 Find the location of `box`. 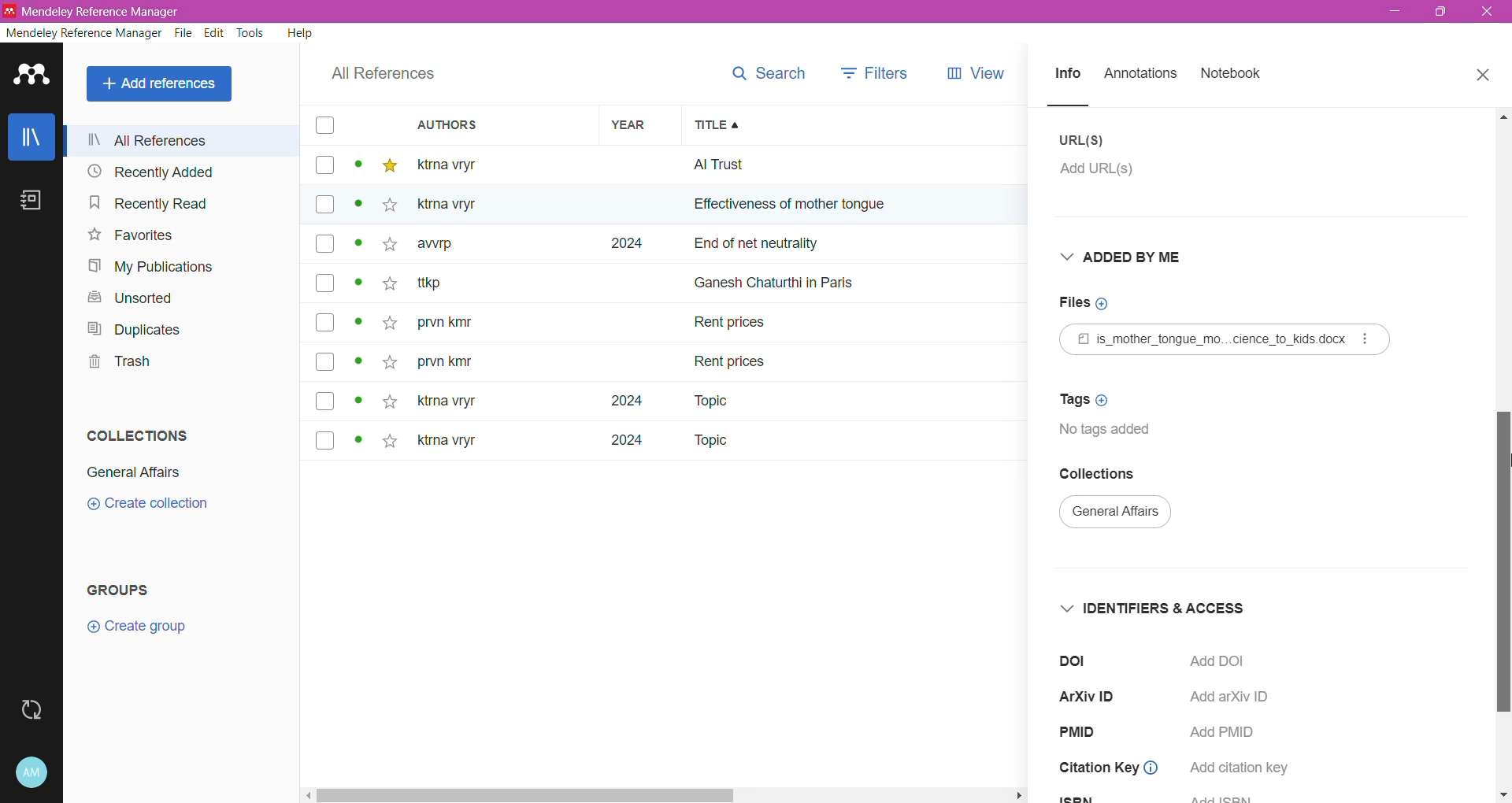

box is located at coordinates (324, 205).